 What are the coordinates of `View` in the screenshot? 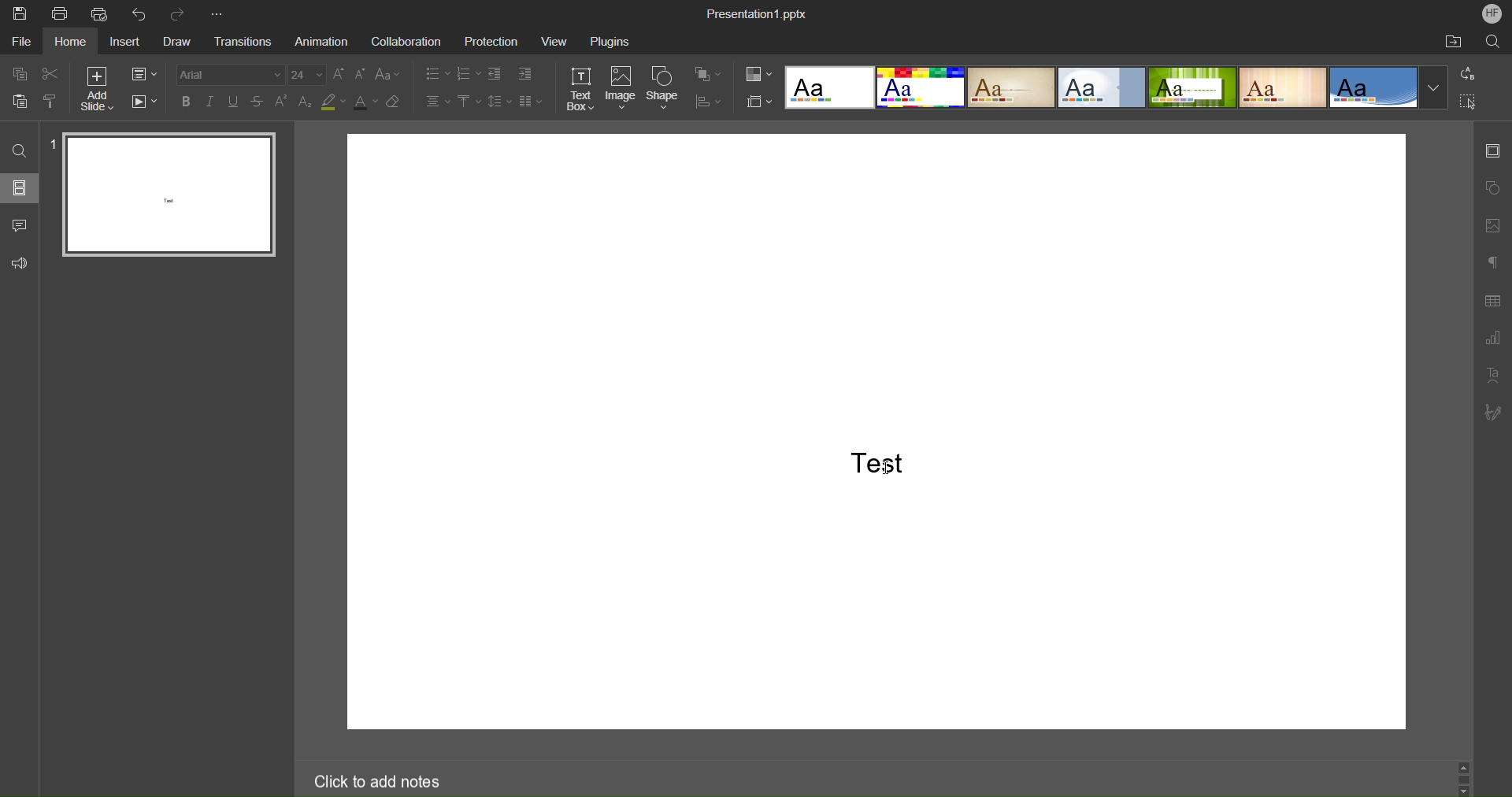 It's located at (554, 41).